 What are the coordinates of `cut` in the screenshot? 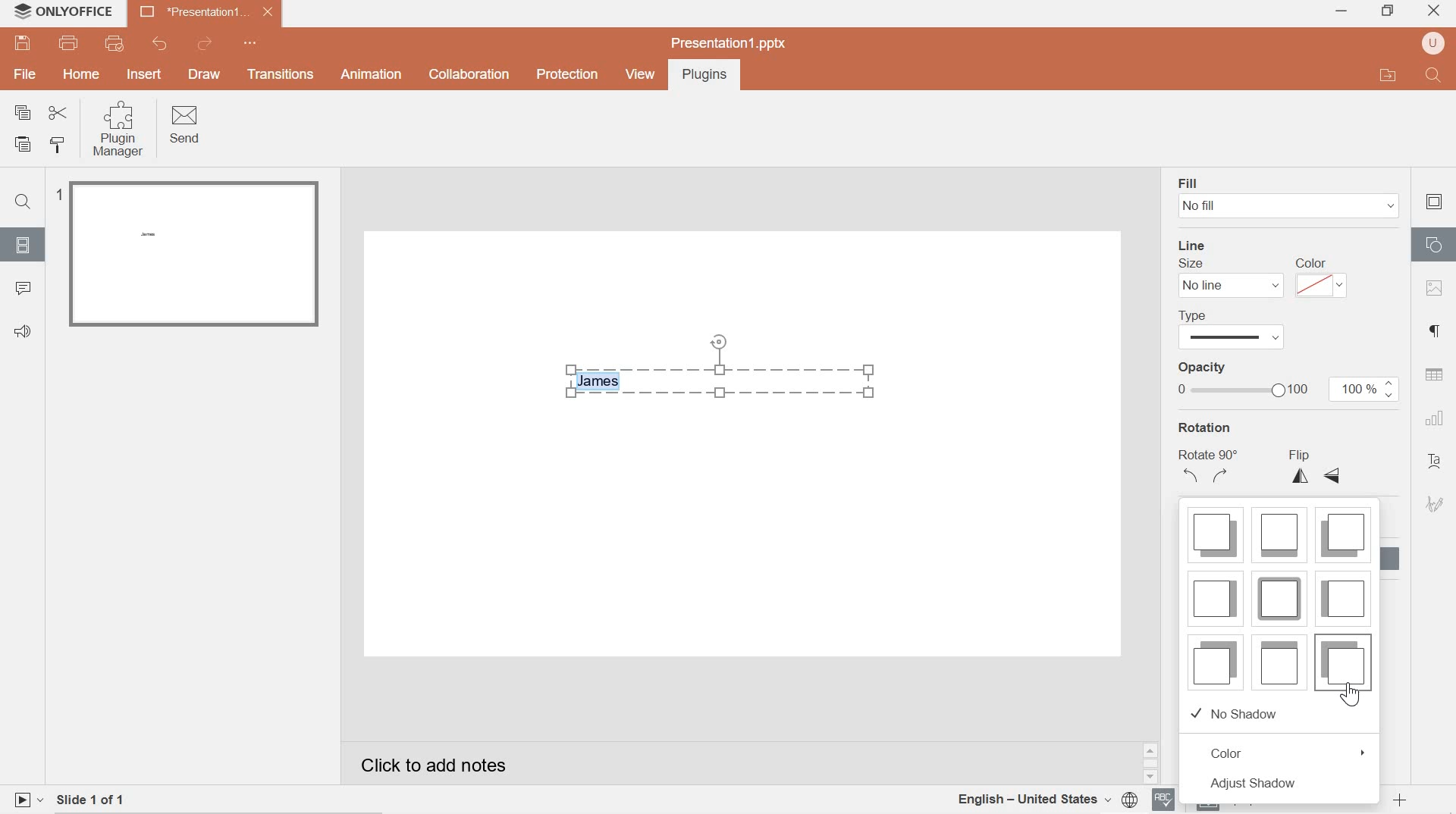 It's located at (58, 112).